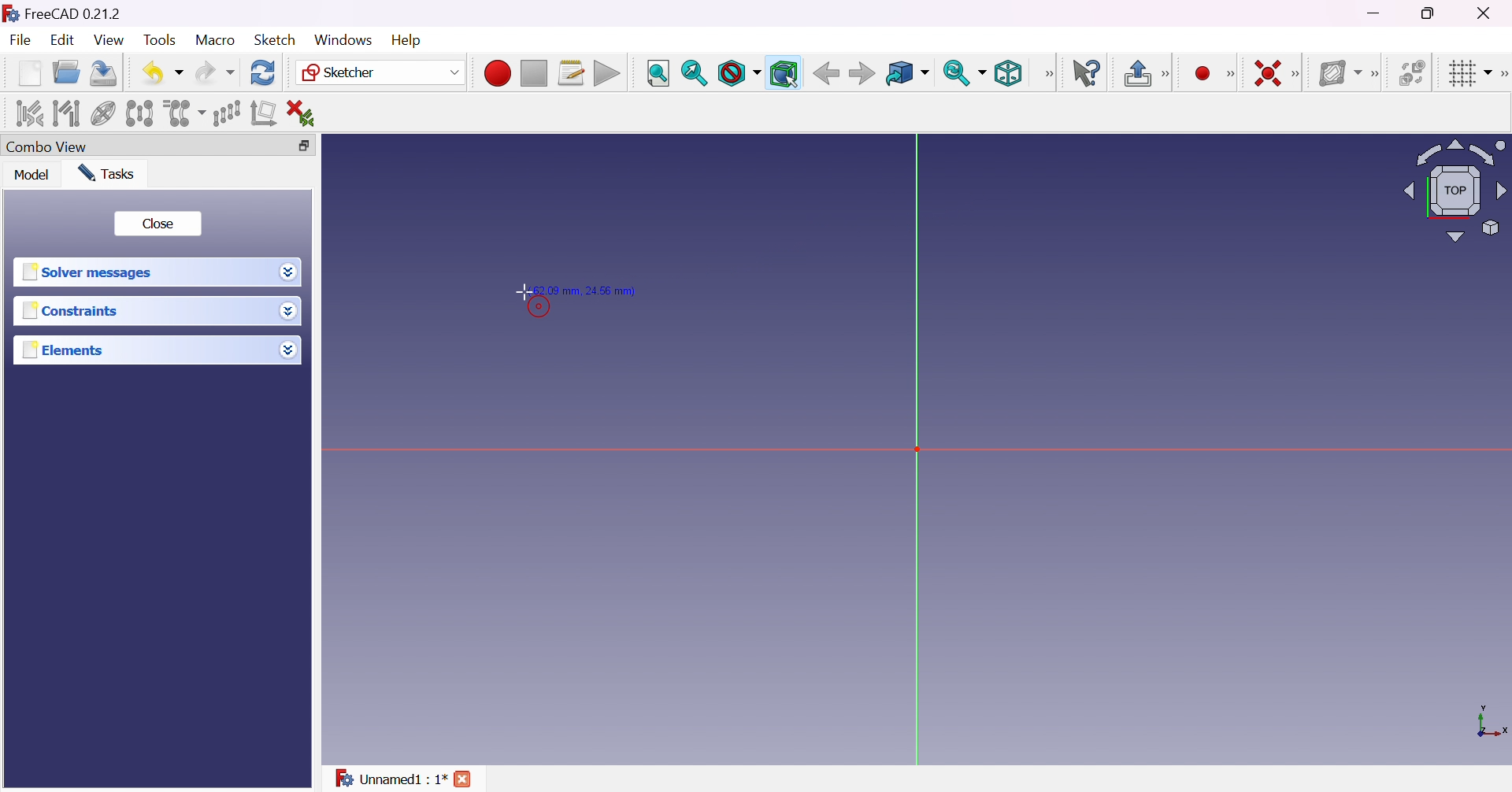 Image resolution: width=1512 pixels, height=792 pixels. Describe the element at coordinates (1415, 72) in the screenshot. I see `Switch virtual space` at that location.